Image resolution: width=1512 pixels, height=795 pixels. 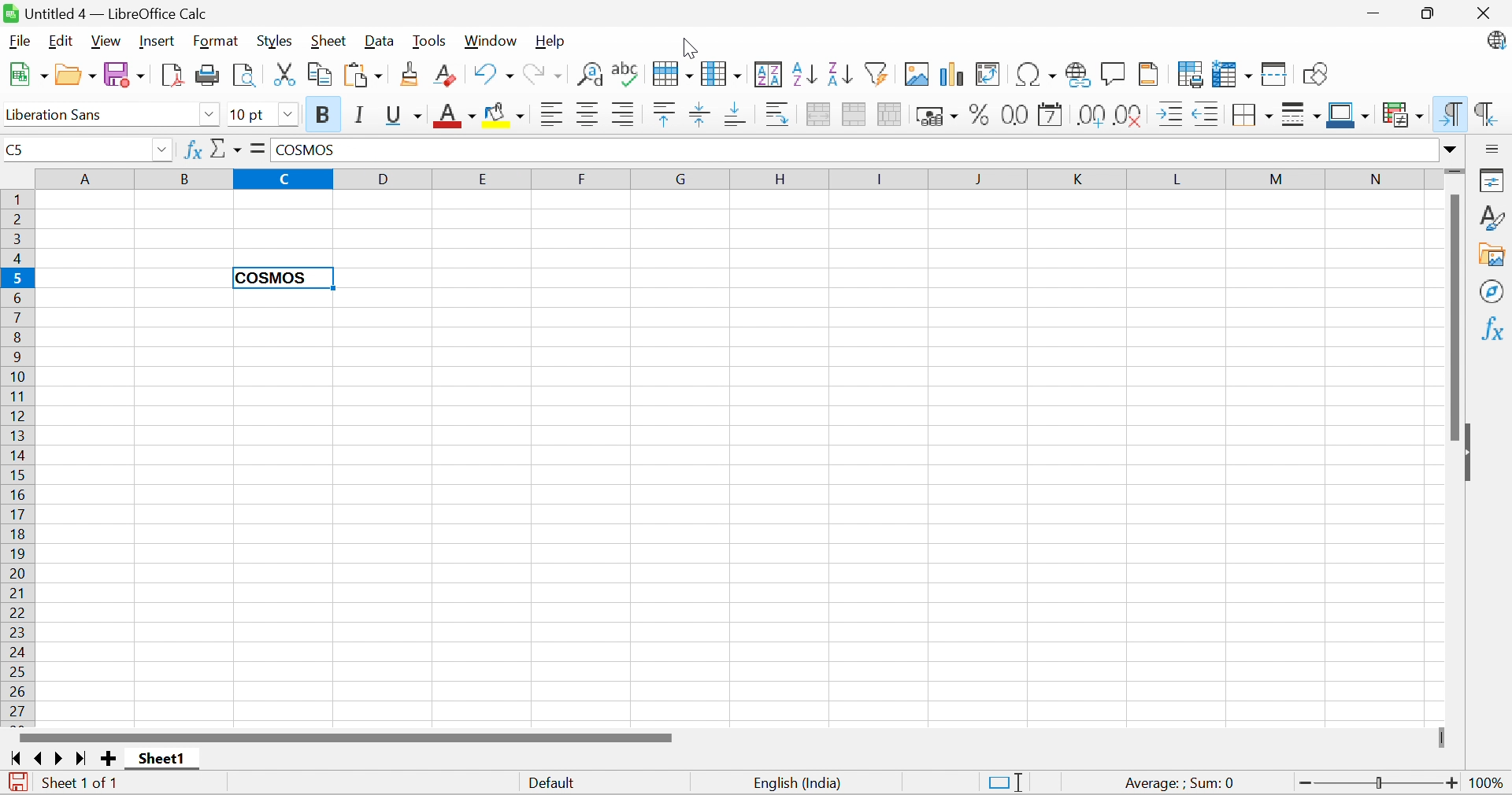 I want to click on Formula, so click(x=261, y=149).